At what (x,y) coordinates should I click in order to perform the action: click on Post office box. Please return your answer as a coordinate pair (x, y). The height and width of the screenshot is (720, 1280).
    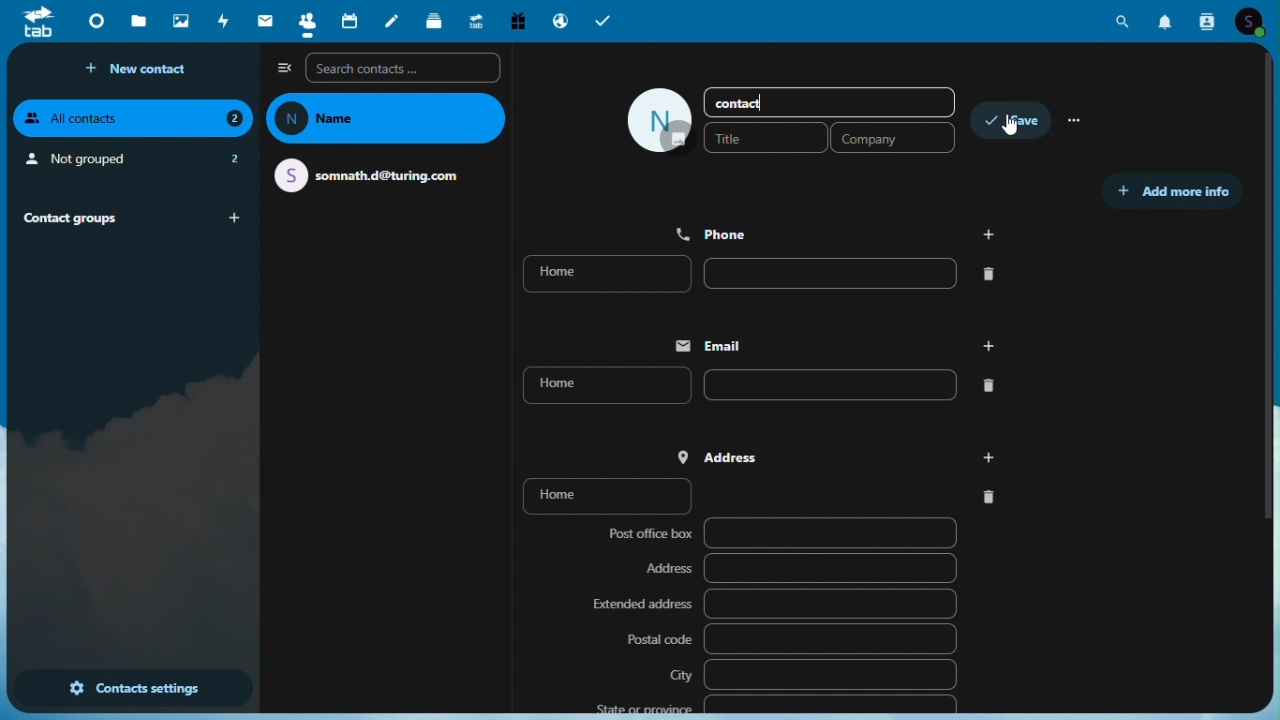
    Looking at the image, I should click on (778, 535).